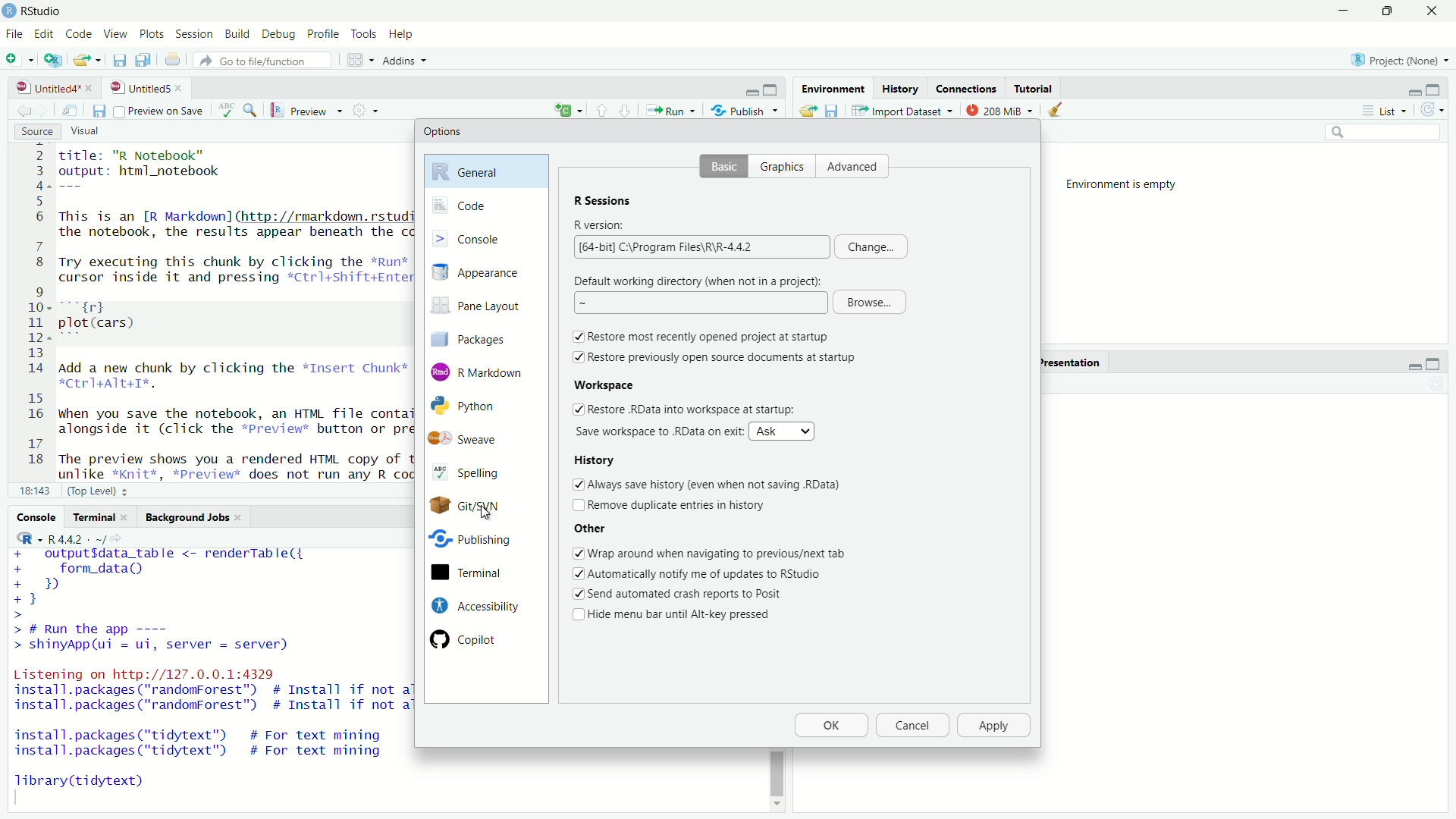 The width and height of the screenshot is (1456, 819). Describe the element at coordinates (172, 60) in the screenshot. I see `print the current file` at that location.